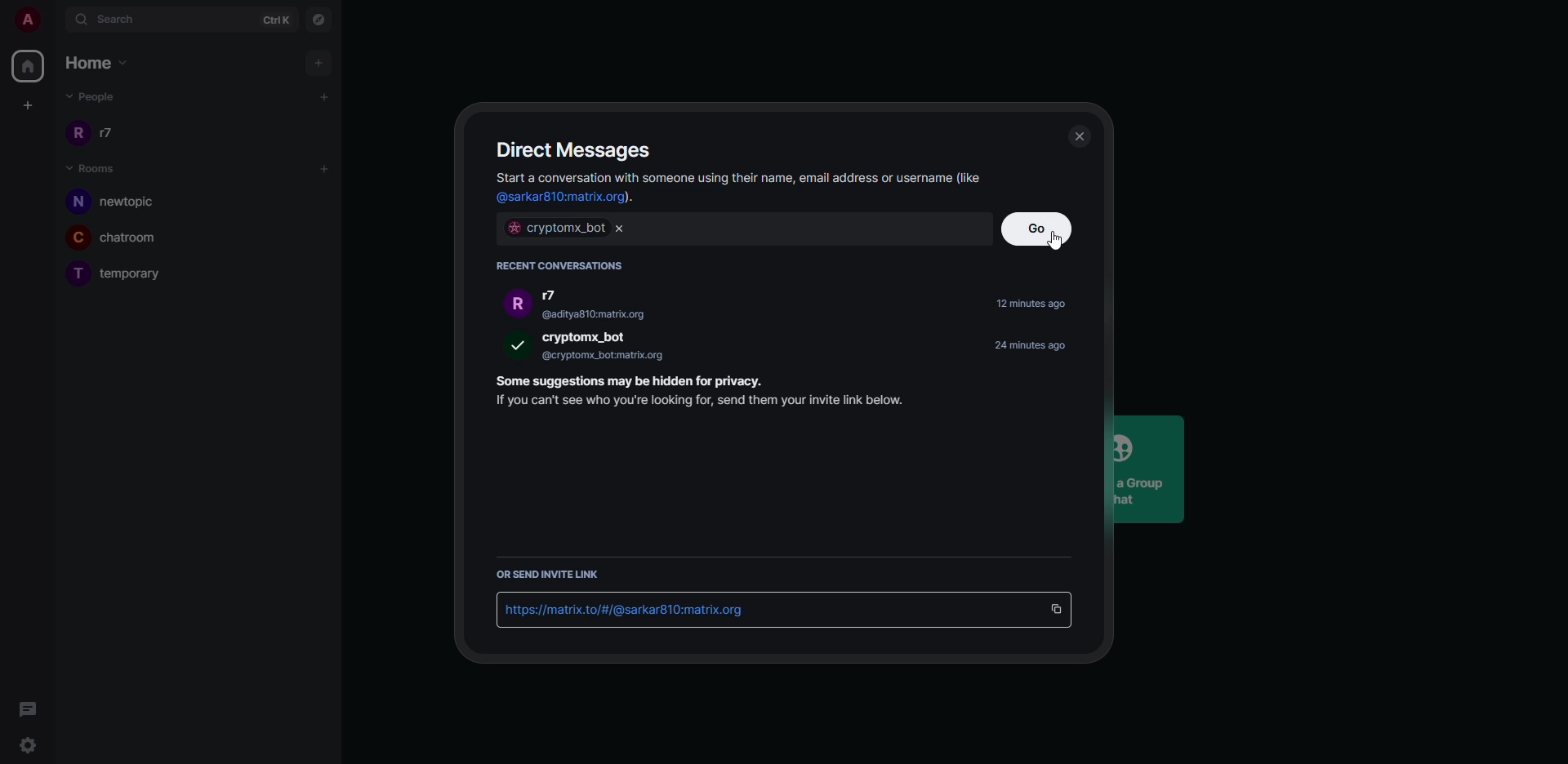 This screenshot has width=1568, height=764. Describe the element at coordinates (516, 304) in the screenshot. I see `r` at that location.